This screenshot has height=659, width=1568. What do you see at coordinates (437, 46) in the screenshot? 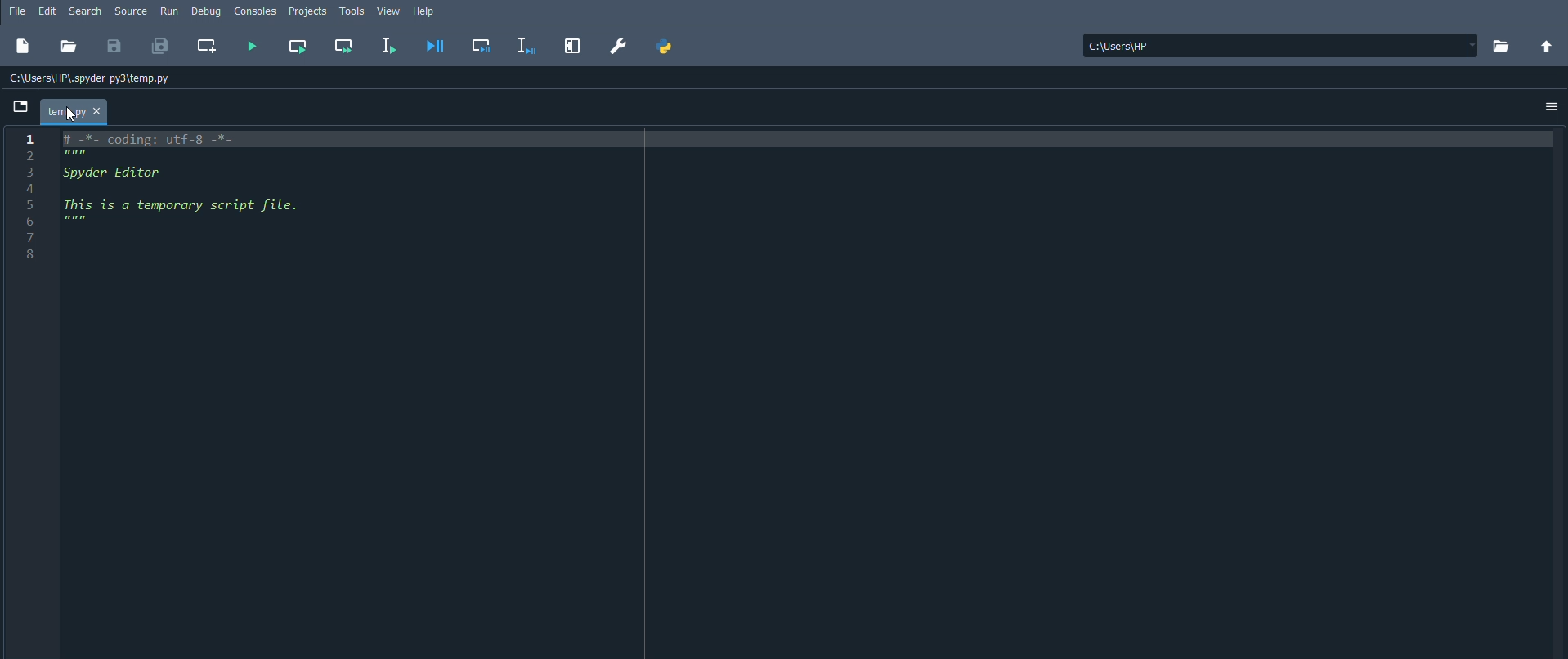
I see `Debug file` at bounding box center [437, 46].